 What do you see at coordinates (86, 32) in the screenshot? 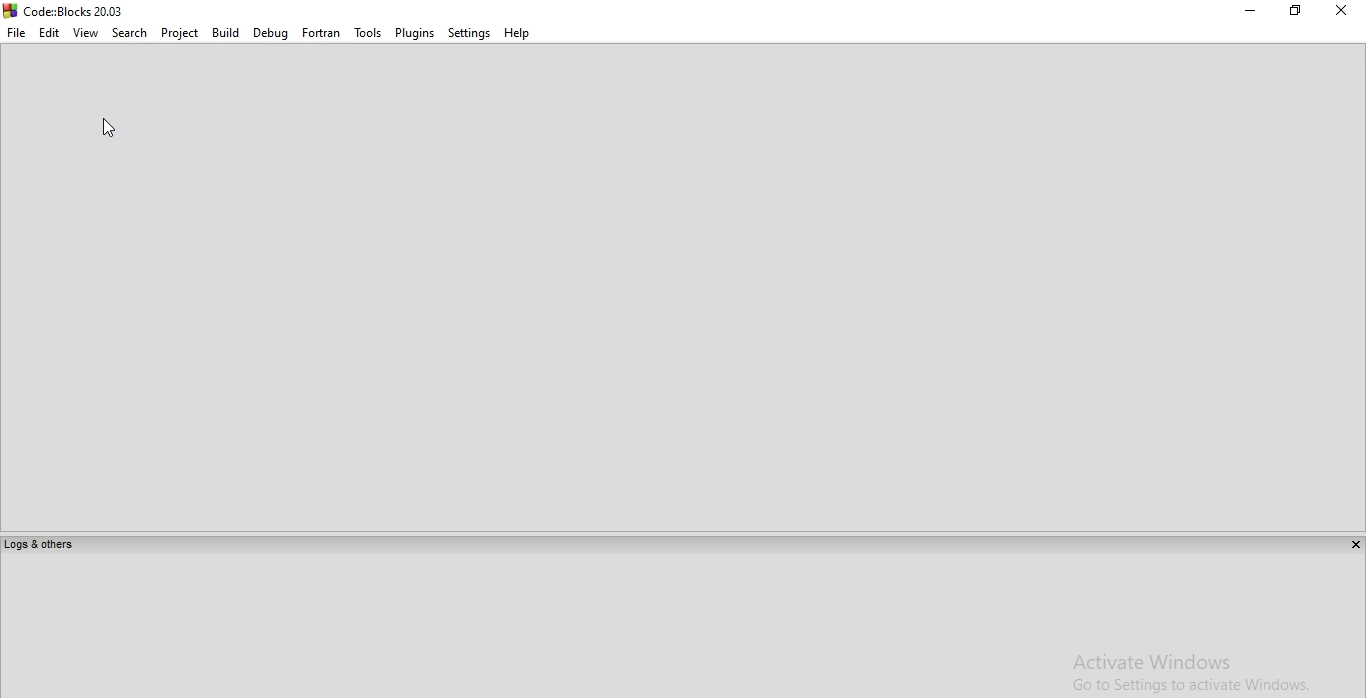
I see `View ` at bounding box center [86, 32].